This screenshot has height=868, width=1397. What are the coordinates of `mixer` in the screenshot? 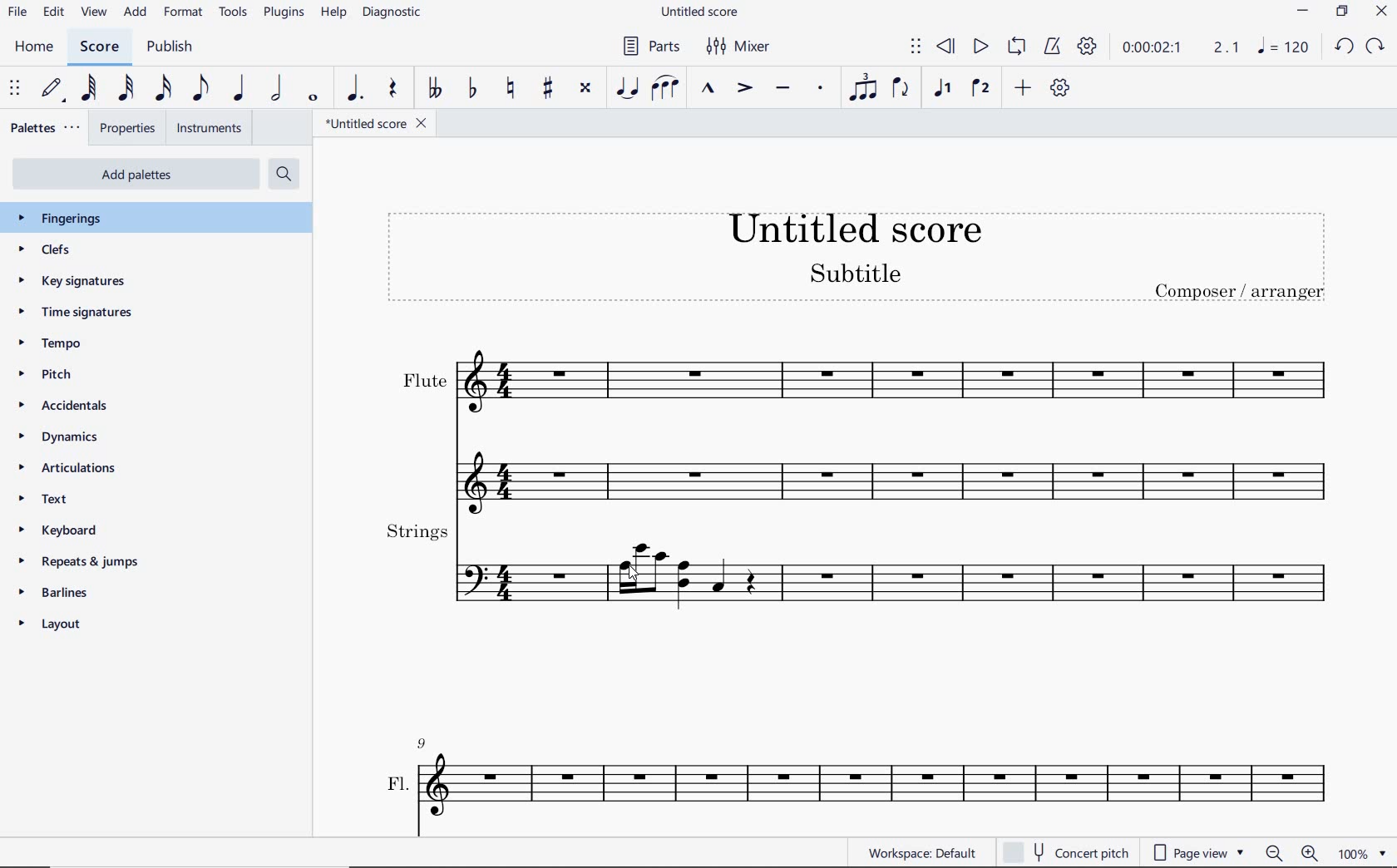 It's located at (738, 47).